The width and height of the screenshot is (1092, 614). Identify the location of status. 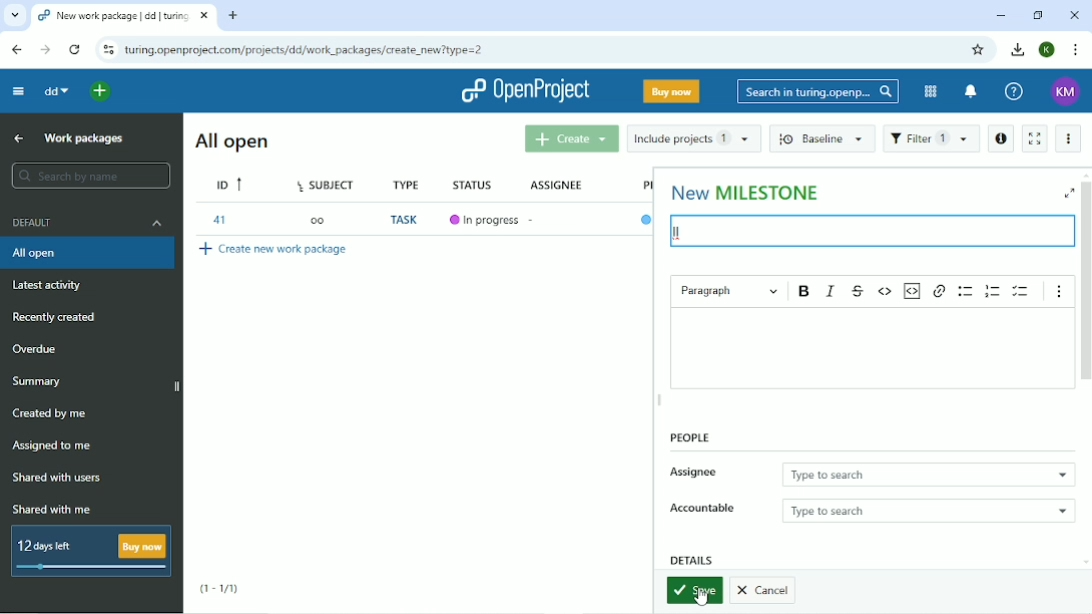
(476, 182).